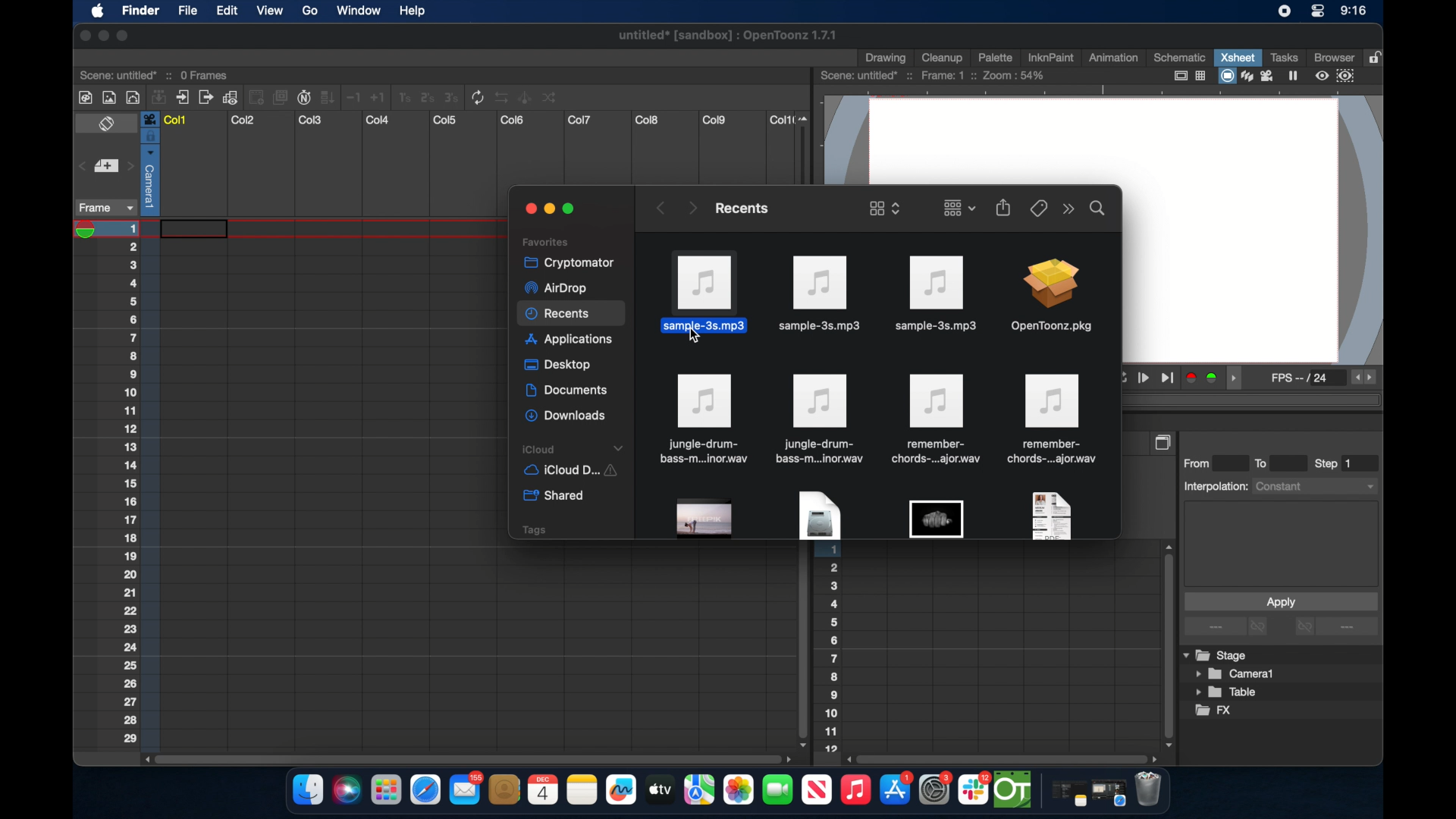 This screenshot has width=1456, height=819. I want to click on toggle x sheet, so click(108, 125).